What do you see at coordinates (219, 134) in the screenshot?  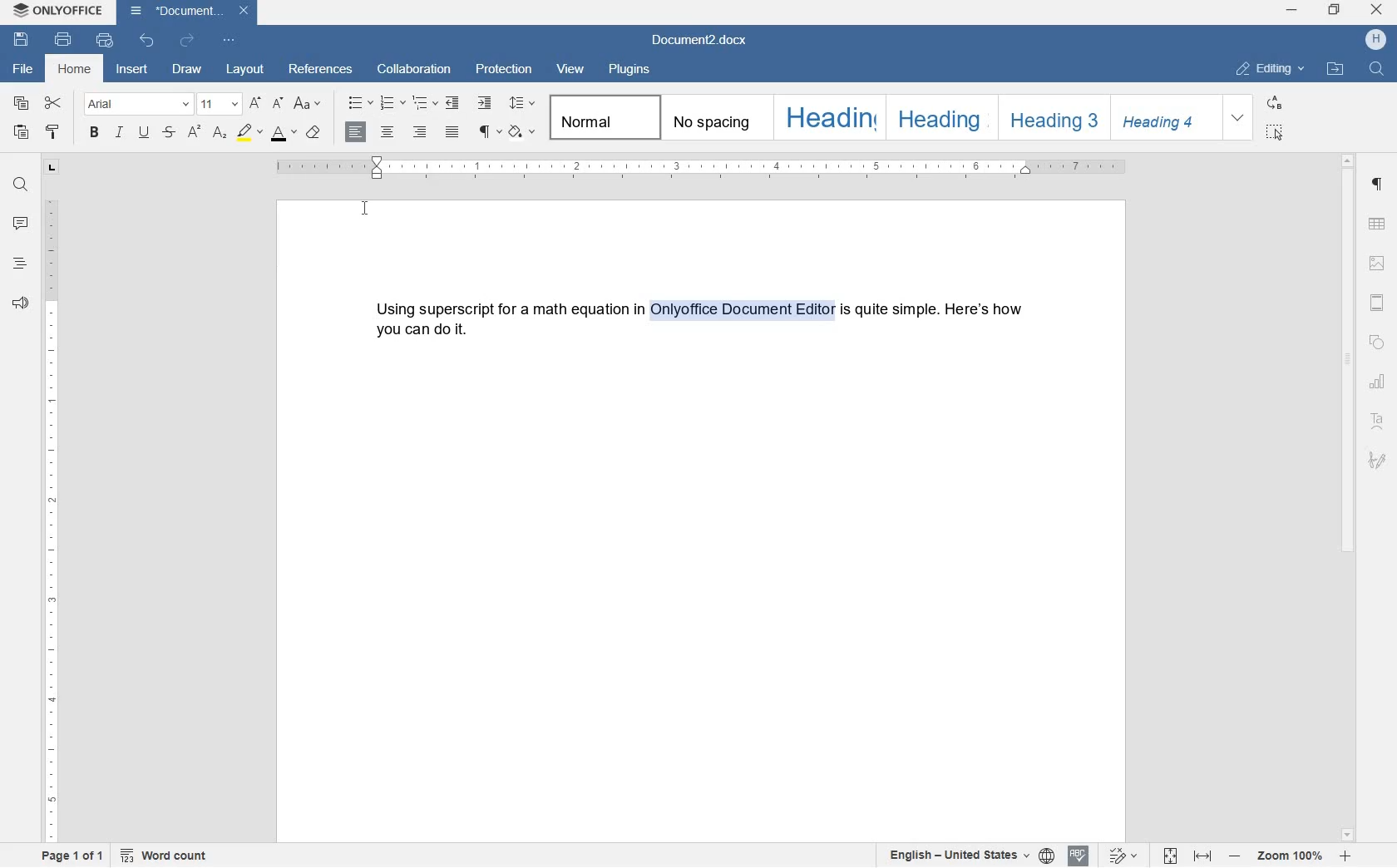 I see `subscript` at bounding box center [219, 134].